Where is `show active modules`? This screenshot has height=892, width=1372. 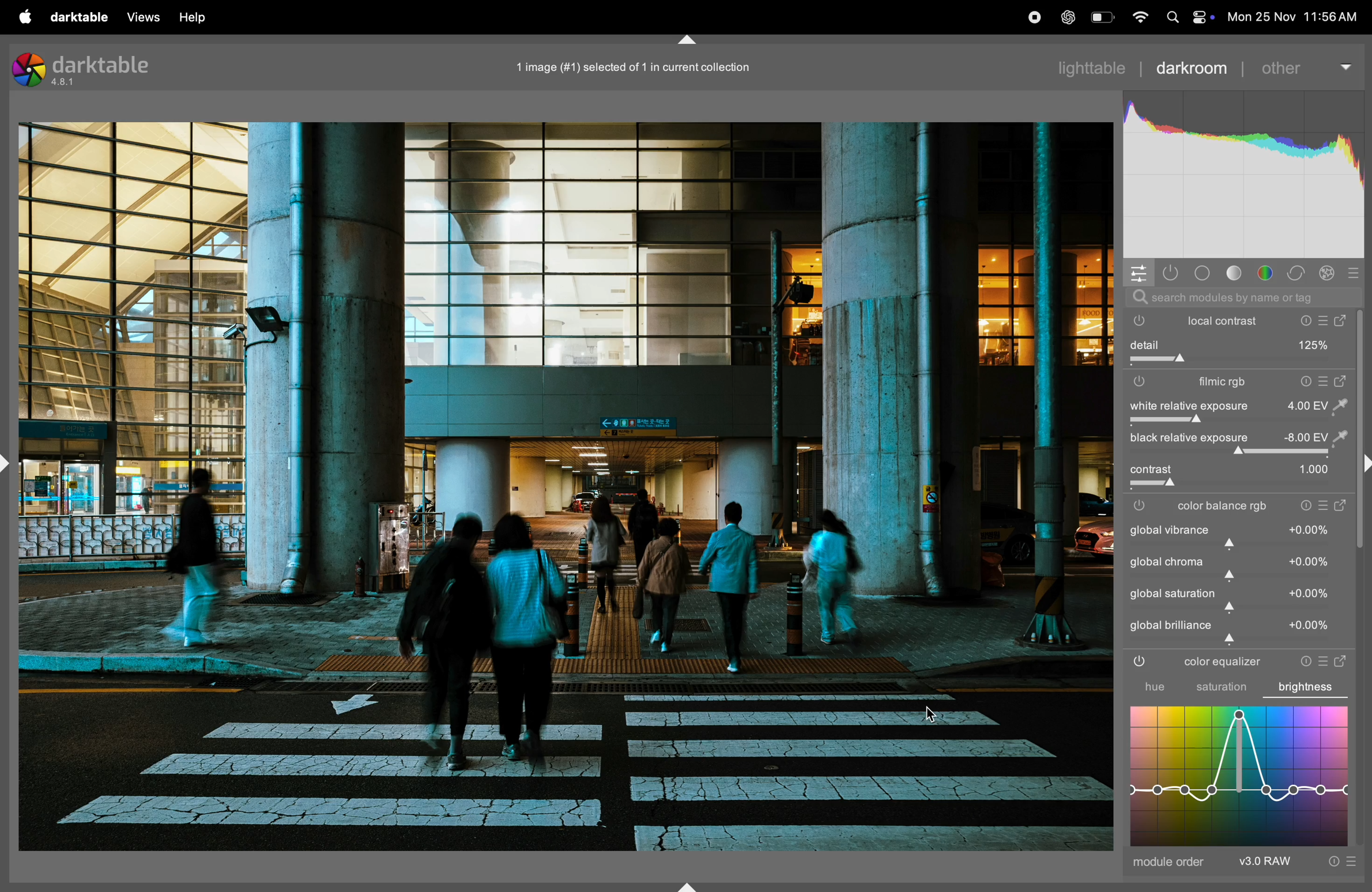 show active modules is located at coordinates (1171, 271).